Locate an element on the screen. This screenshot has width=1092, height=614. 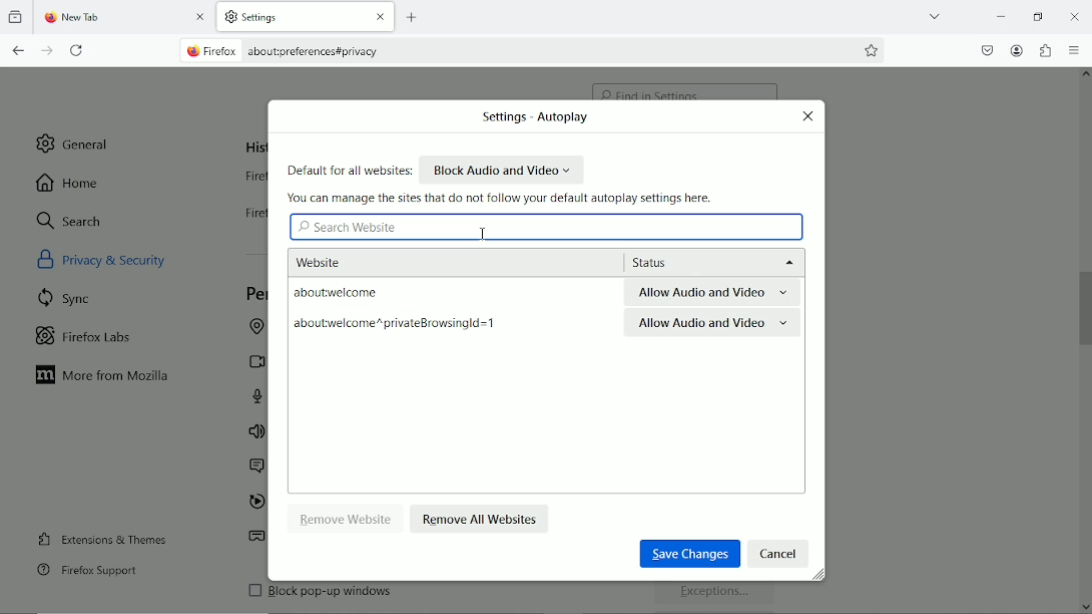
notifications is located at coordinates (254, 467).